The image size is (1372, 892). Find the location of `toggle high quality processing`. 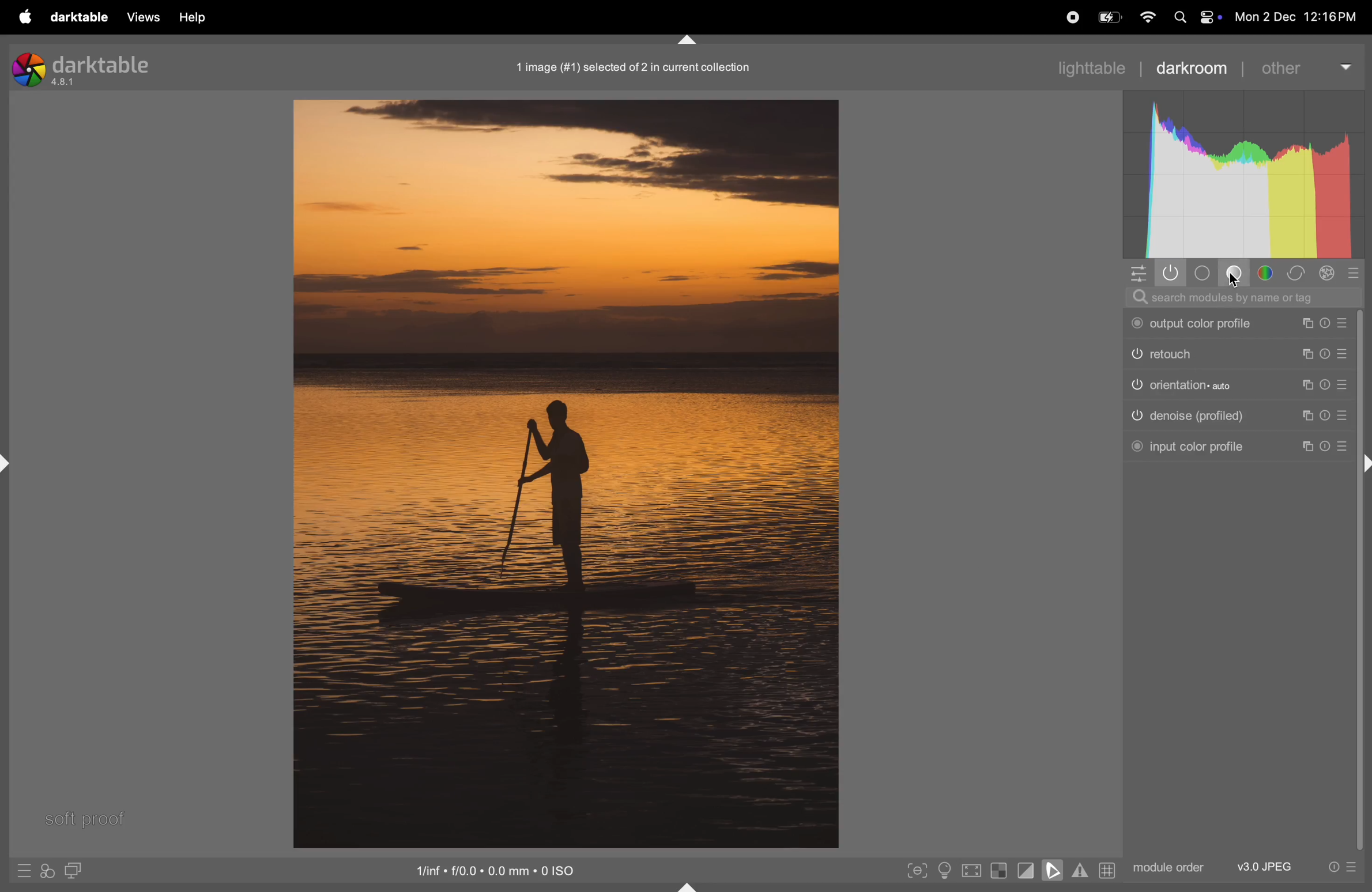

toggle high quality processing is located at coordinates (973, 872).